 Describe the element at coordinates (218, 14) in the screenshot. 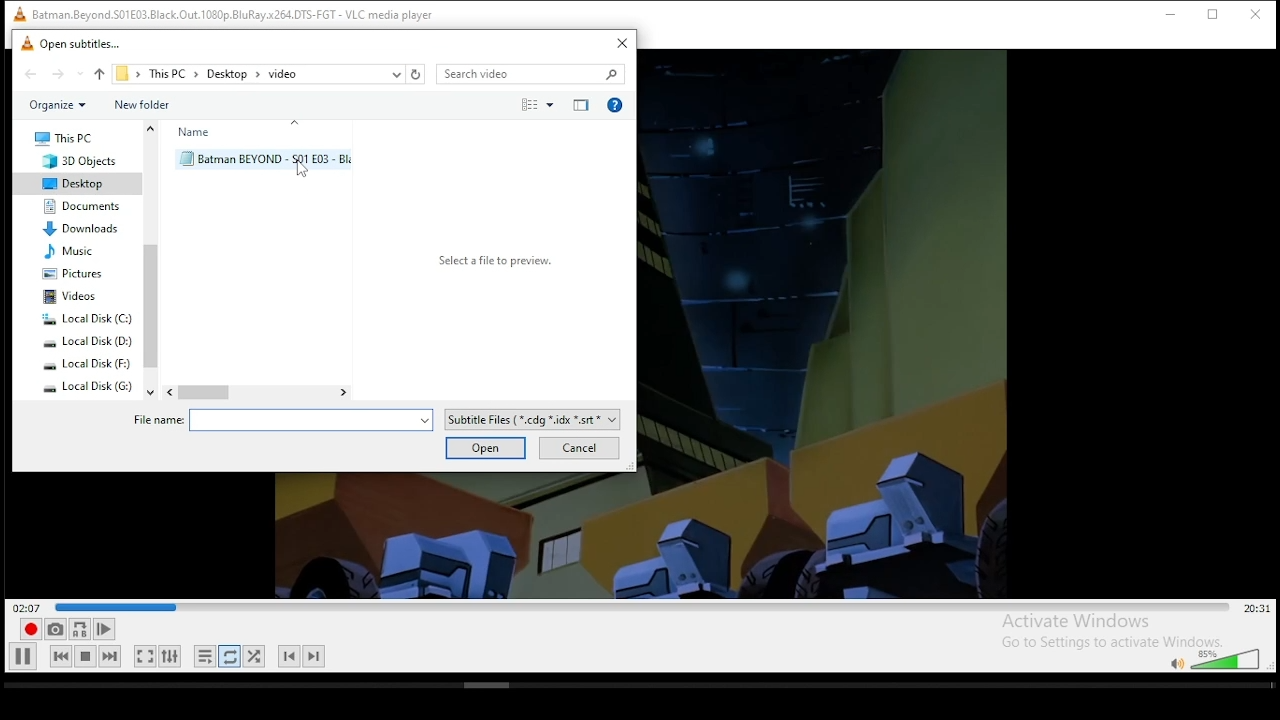

I see `VLC icon and file name` at that location.